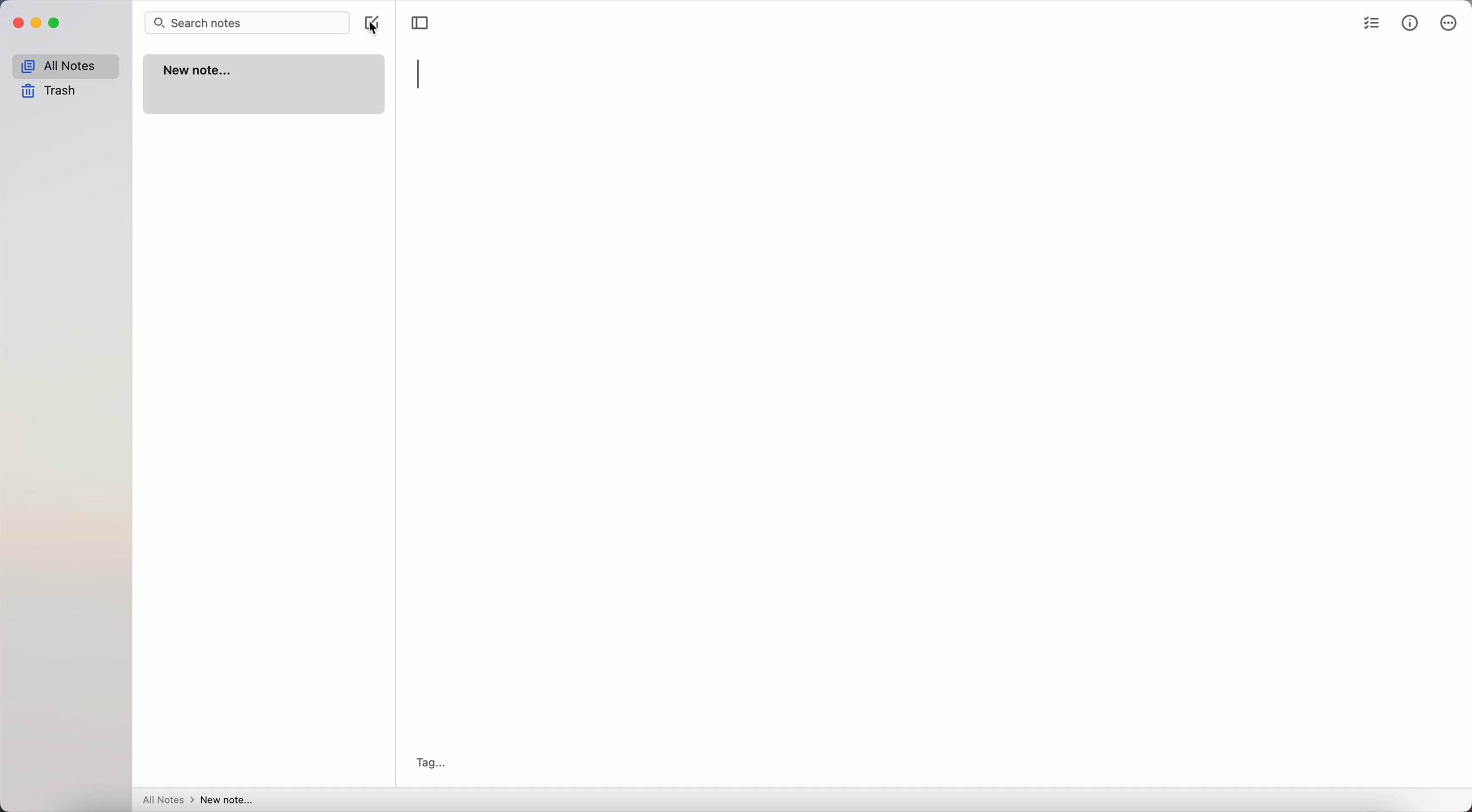 This screenshot has height=812, width=1472. Describe the element at coordinates (372, 24) in the screenshot. I see `create note` at that location.